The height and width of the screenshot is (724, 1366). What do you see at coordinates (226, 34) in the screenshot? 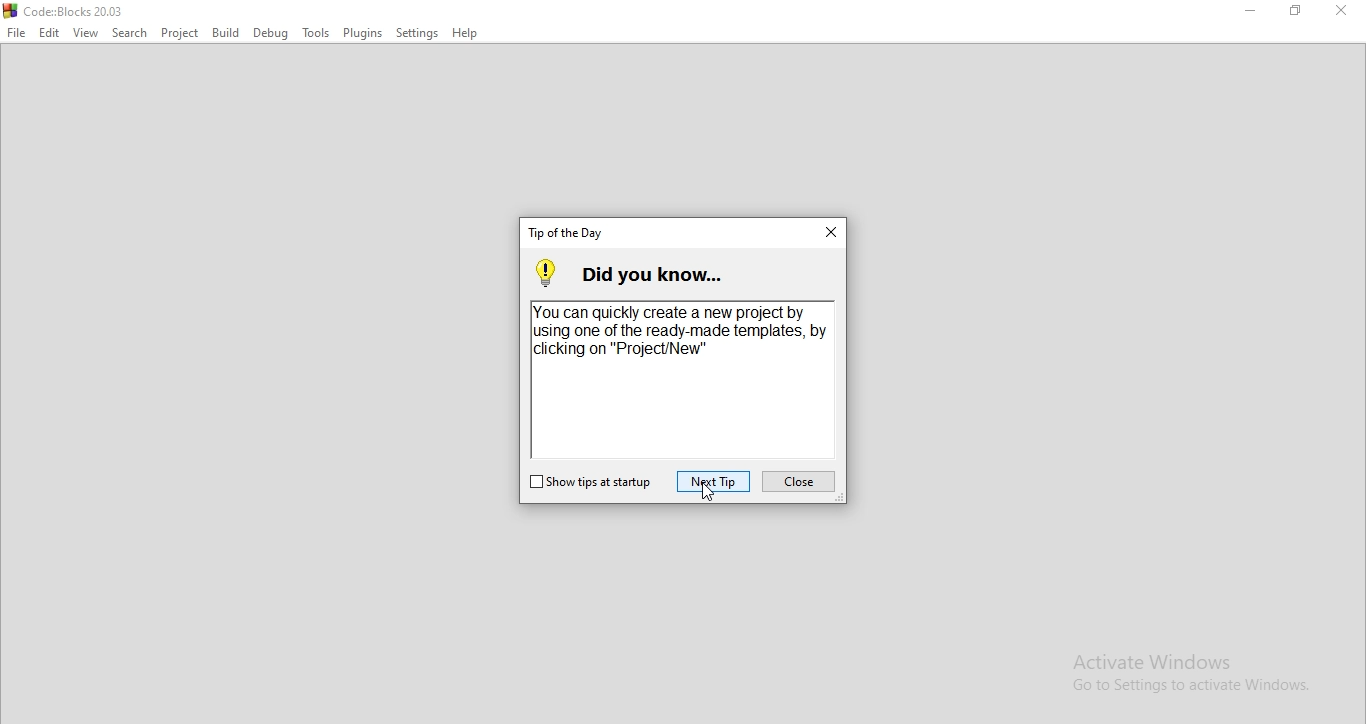
I see `Build ` at bounding box center [226, 34].